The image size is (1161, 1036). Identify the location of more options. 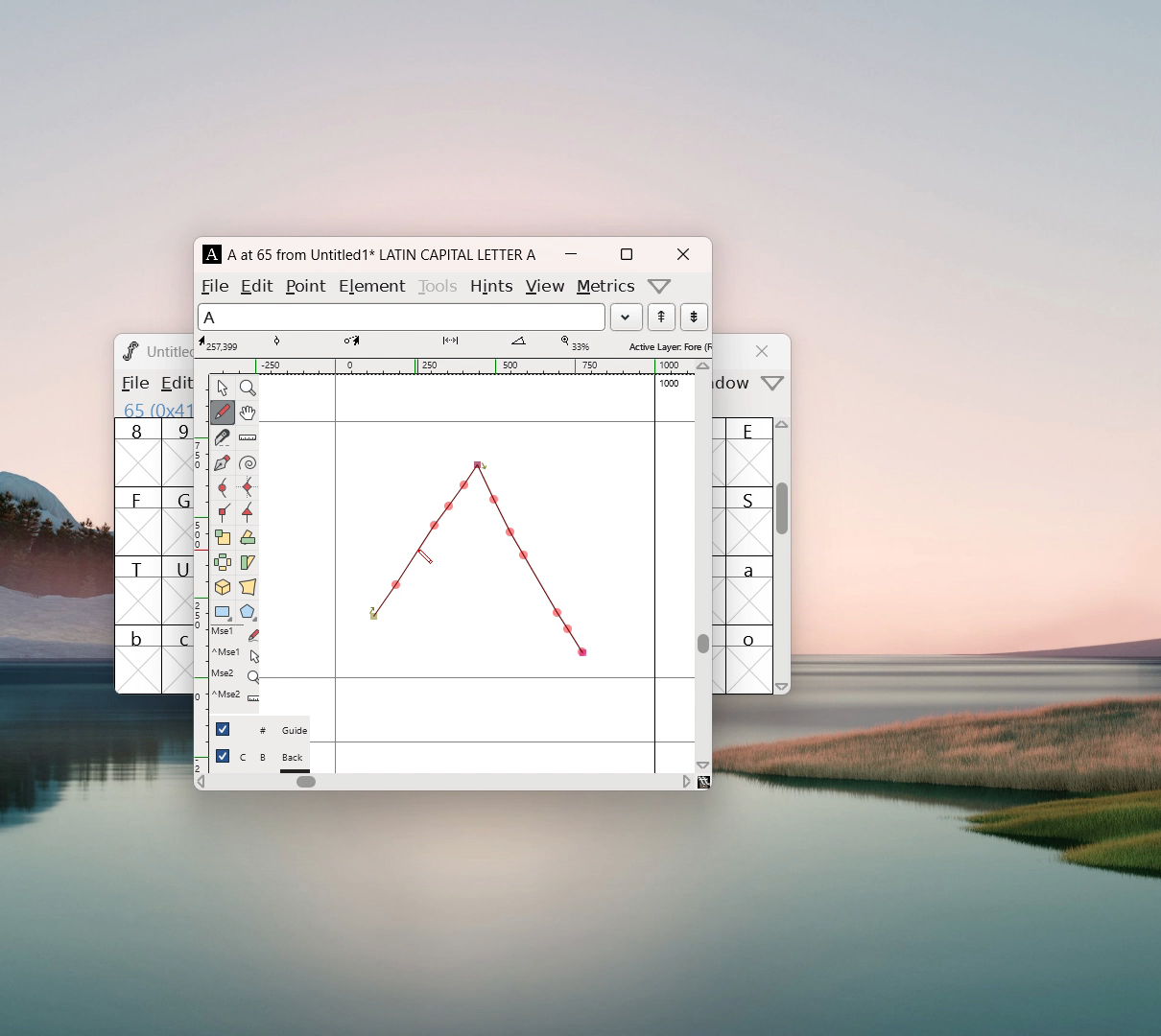
(660, 286).